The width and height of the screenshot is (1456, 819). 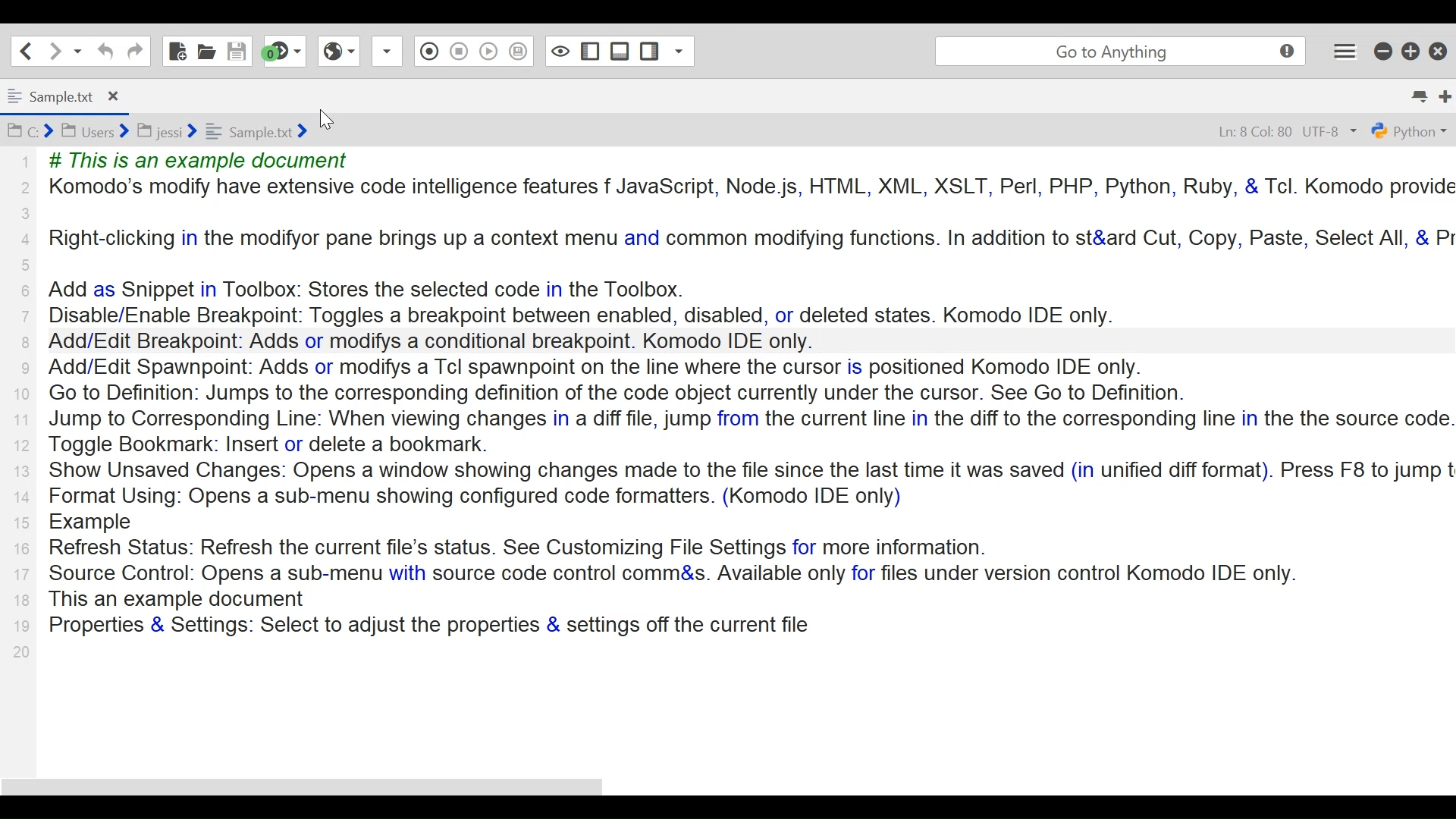 I want to click on Play Last Recording, so click(x=489, y=52).